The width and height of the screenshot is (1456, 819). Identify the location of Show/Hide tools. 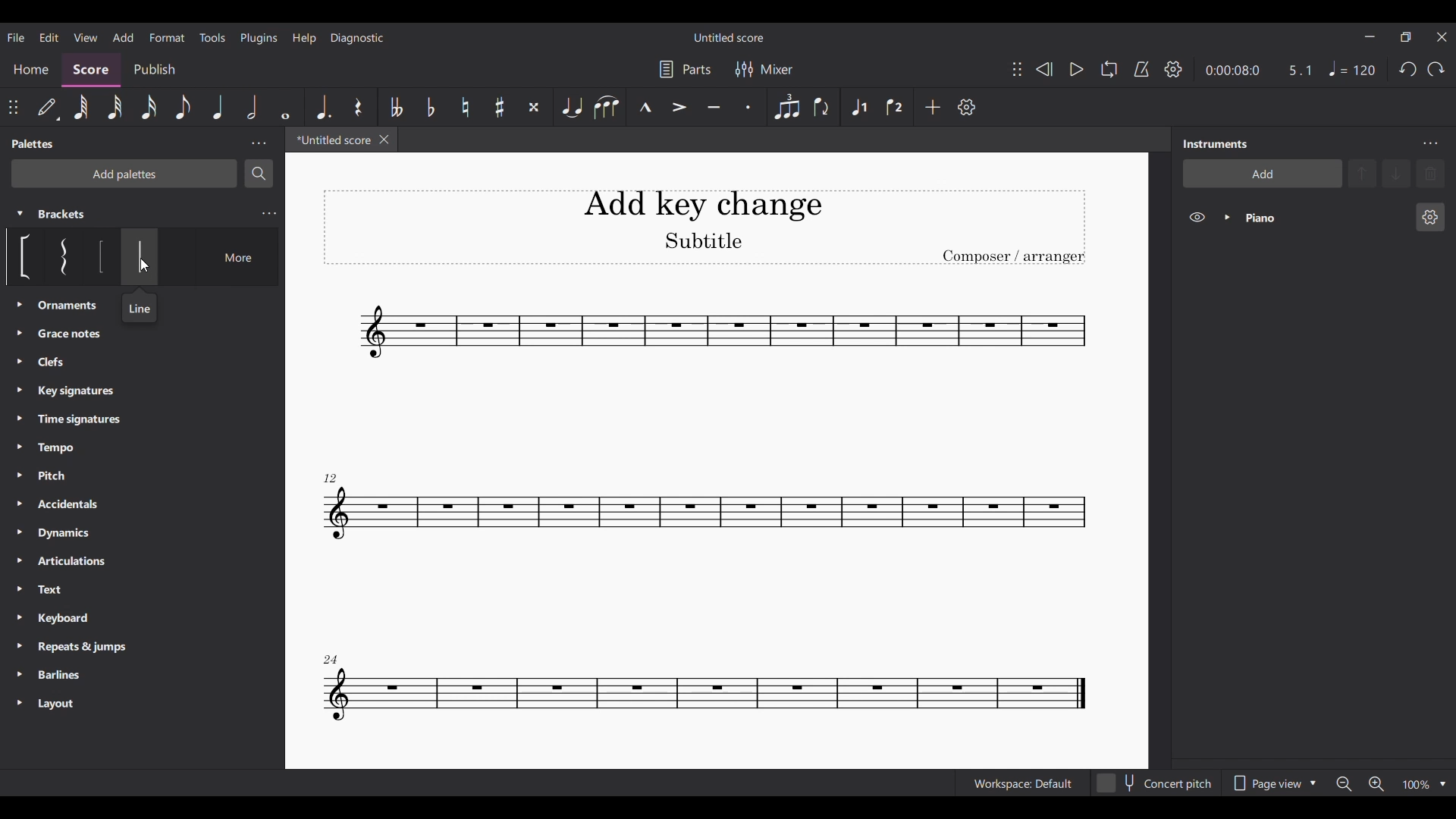
(1173, 69).